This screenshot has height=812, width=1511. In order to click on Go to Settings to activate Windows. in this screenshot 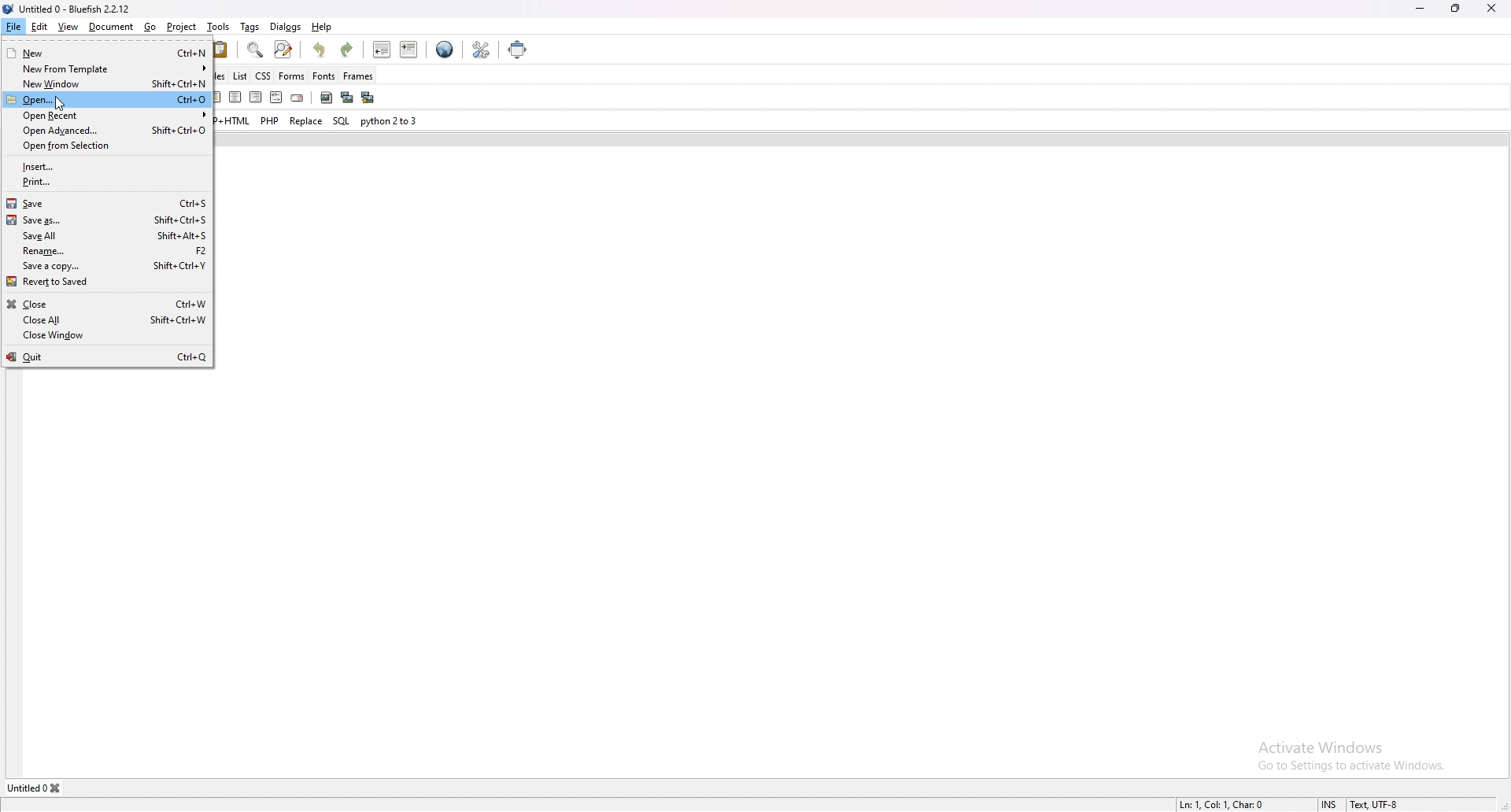, I will do `click(1355, 767)`.